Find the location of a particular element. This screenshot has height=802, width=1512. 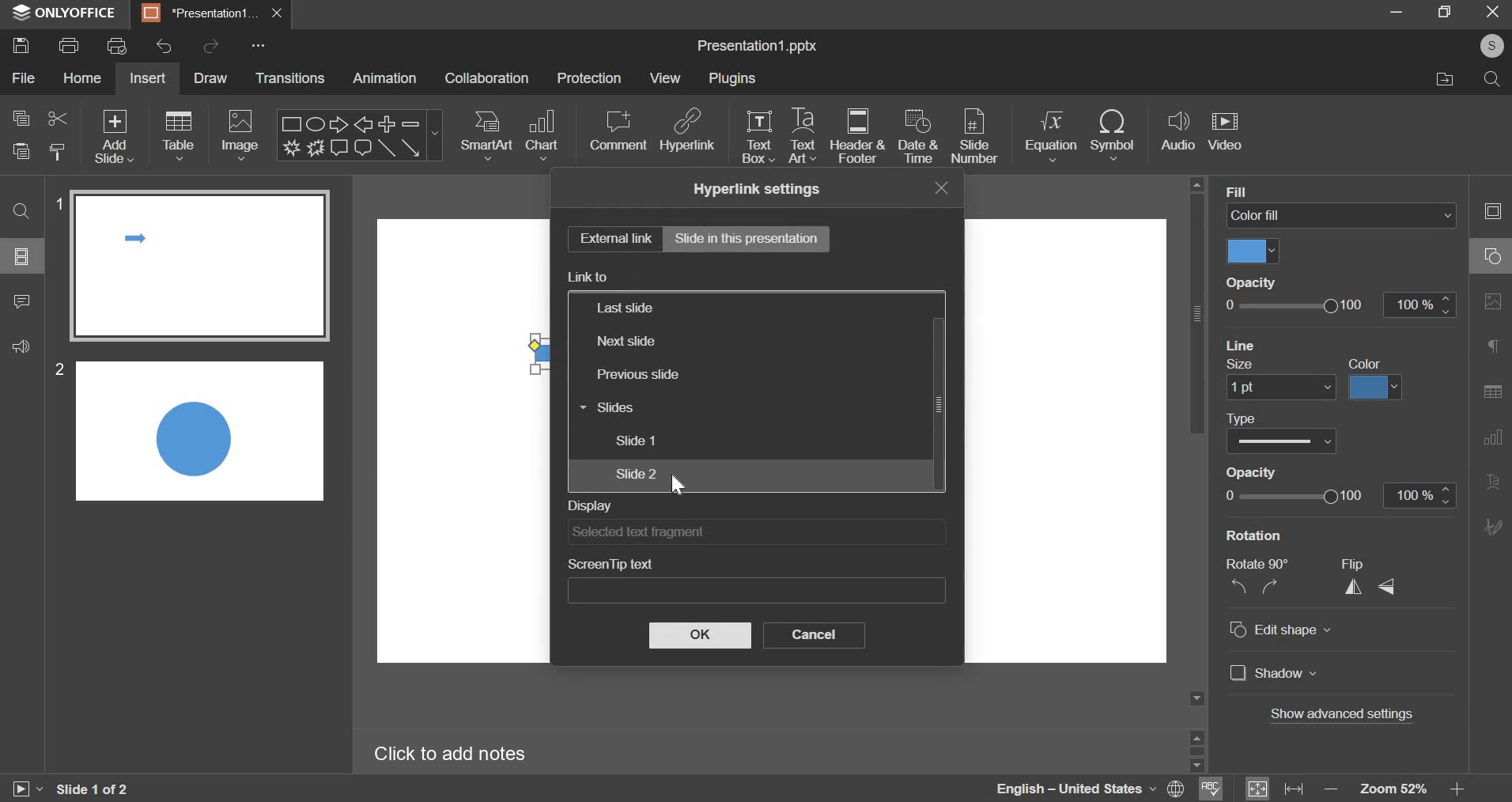

text art is located at coordinates (803, 137).